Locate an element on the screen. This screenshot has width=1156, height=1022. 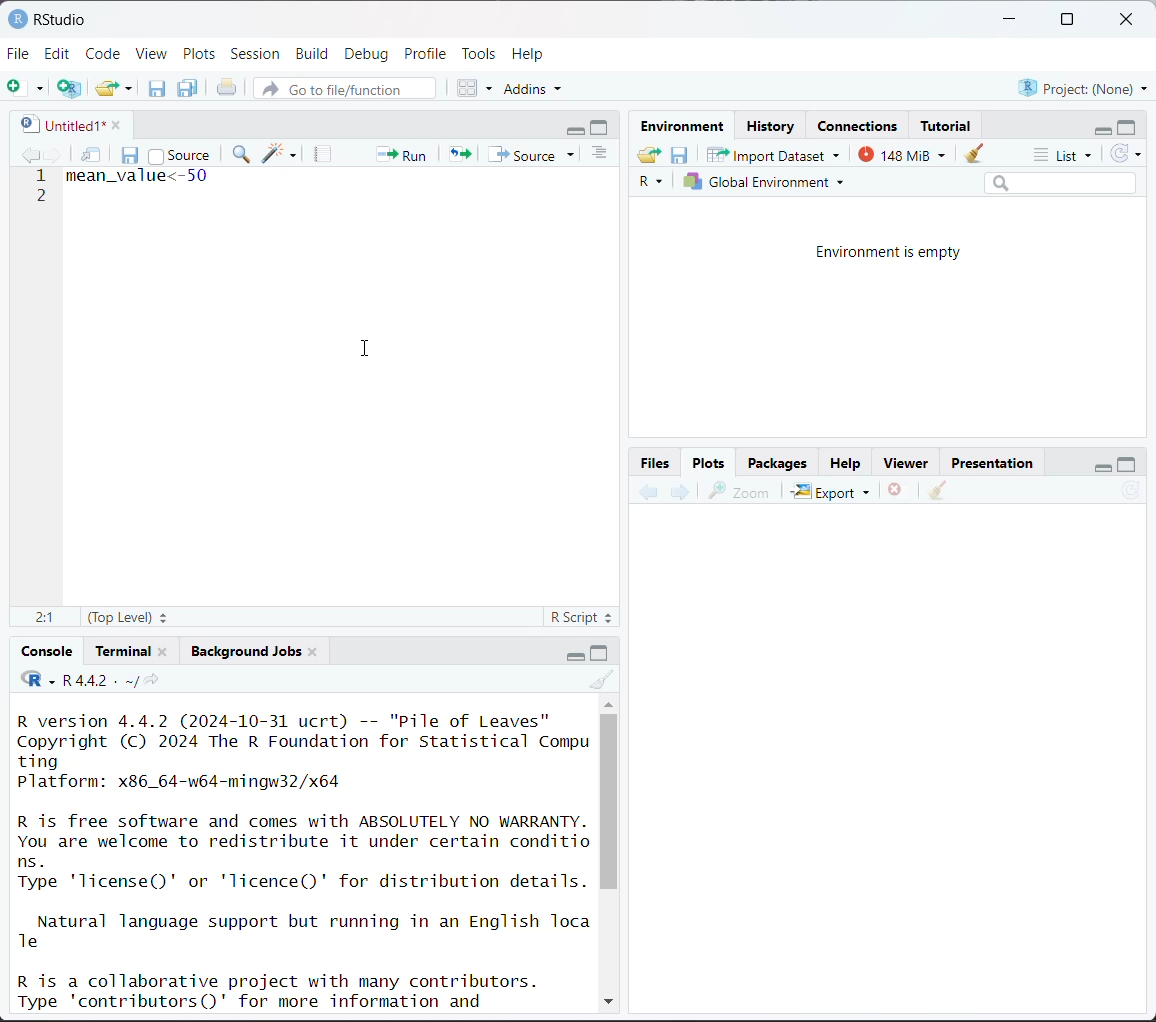
close is located at coordinates (163, 650).